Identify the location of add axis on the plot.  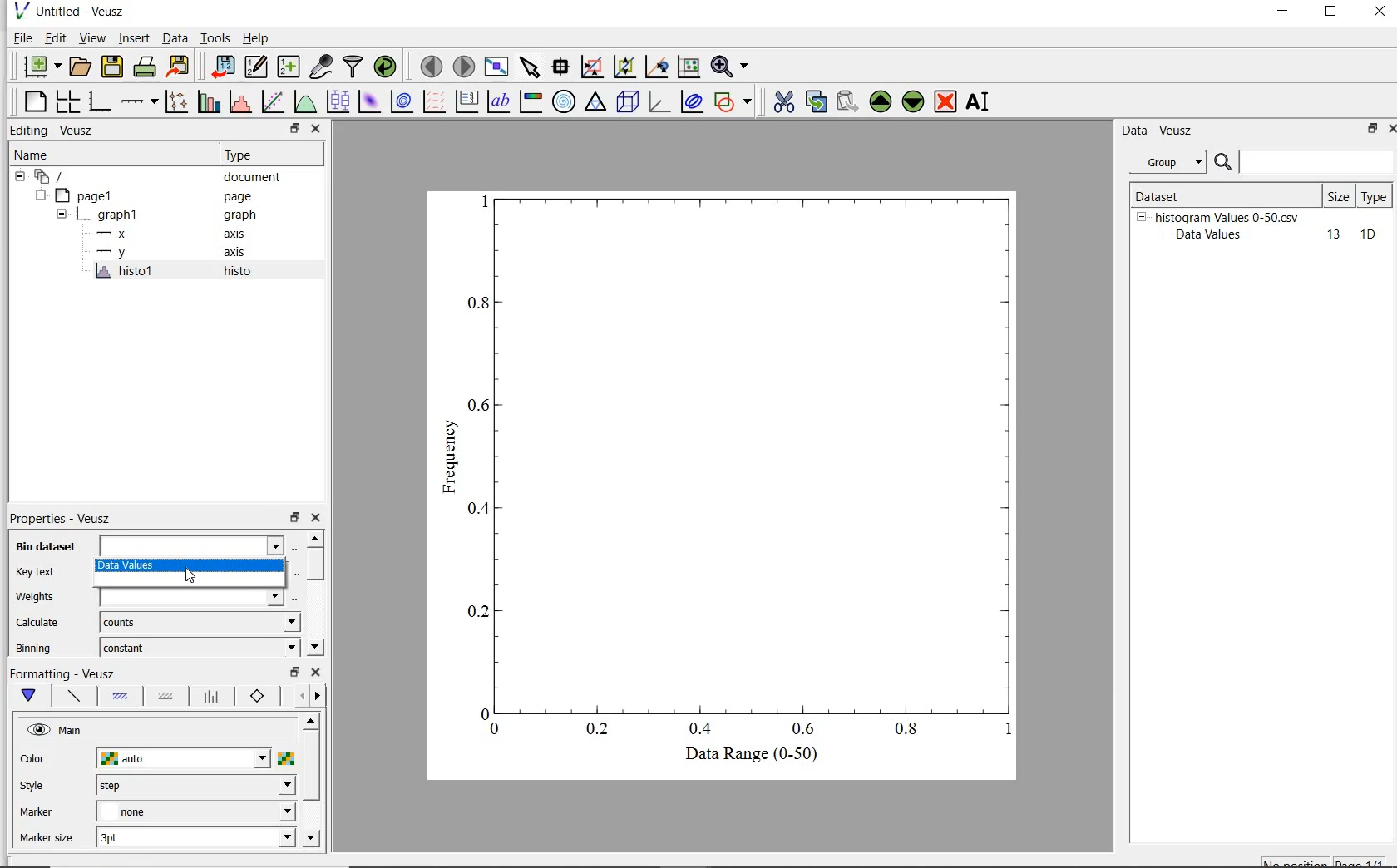
(139, 100).